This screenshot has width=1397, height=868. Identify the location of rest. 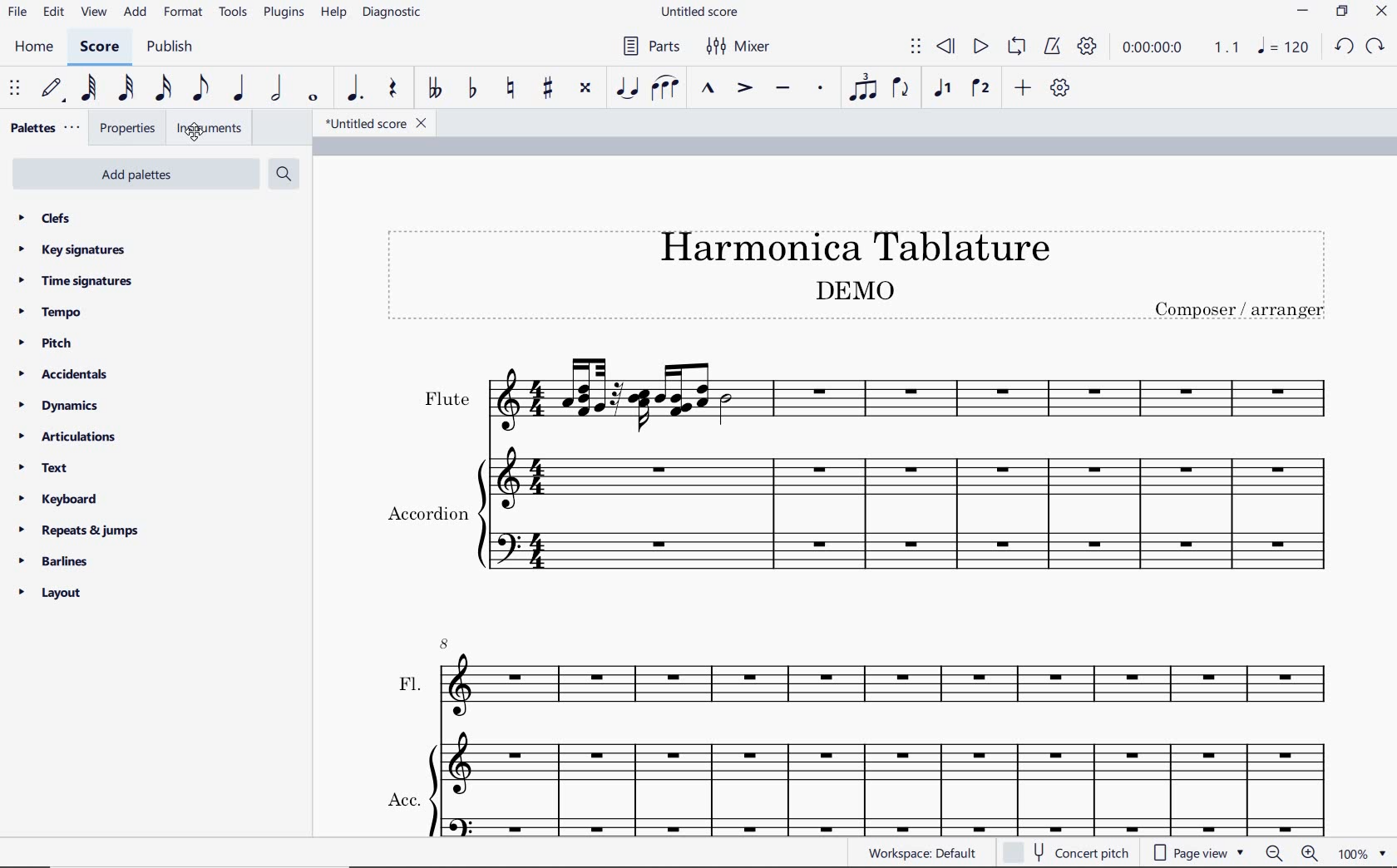
(392, 89).